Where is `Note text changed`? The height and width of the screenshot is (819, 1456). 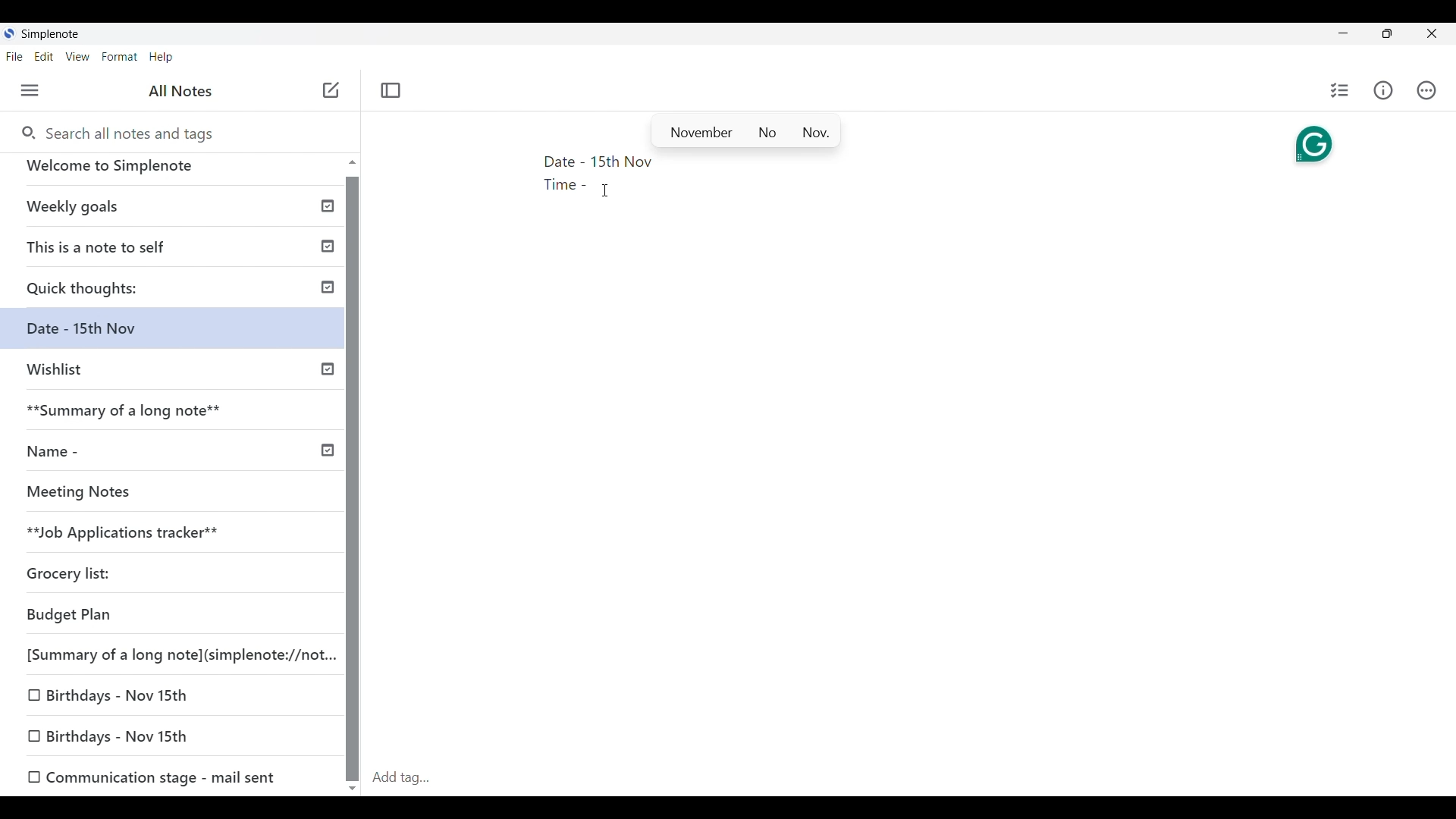
Note text changed is located at coordinates (179, 334).